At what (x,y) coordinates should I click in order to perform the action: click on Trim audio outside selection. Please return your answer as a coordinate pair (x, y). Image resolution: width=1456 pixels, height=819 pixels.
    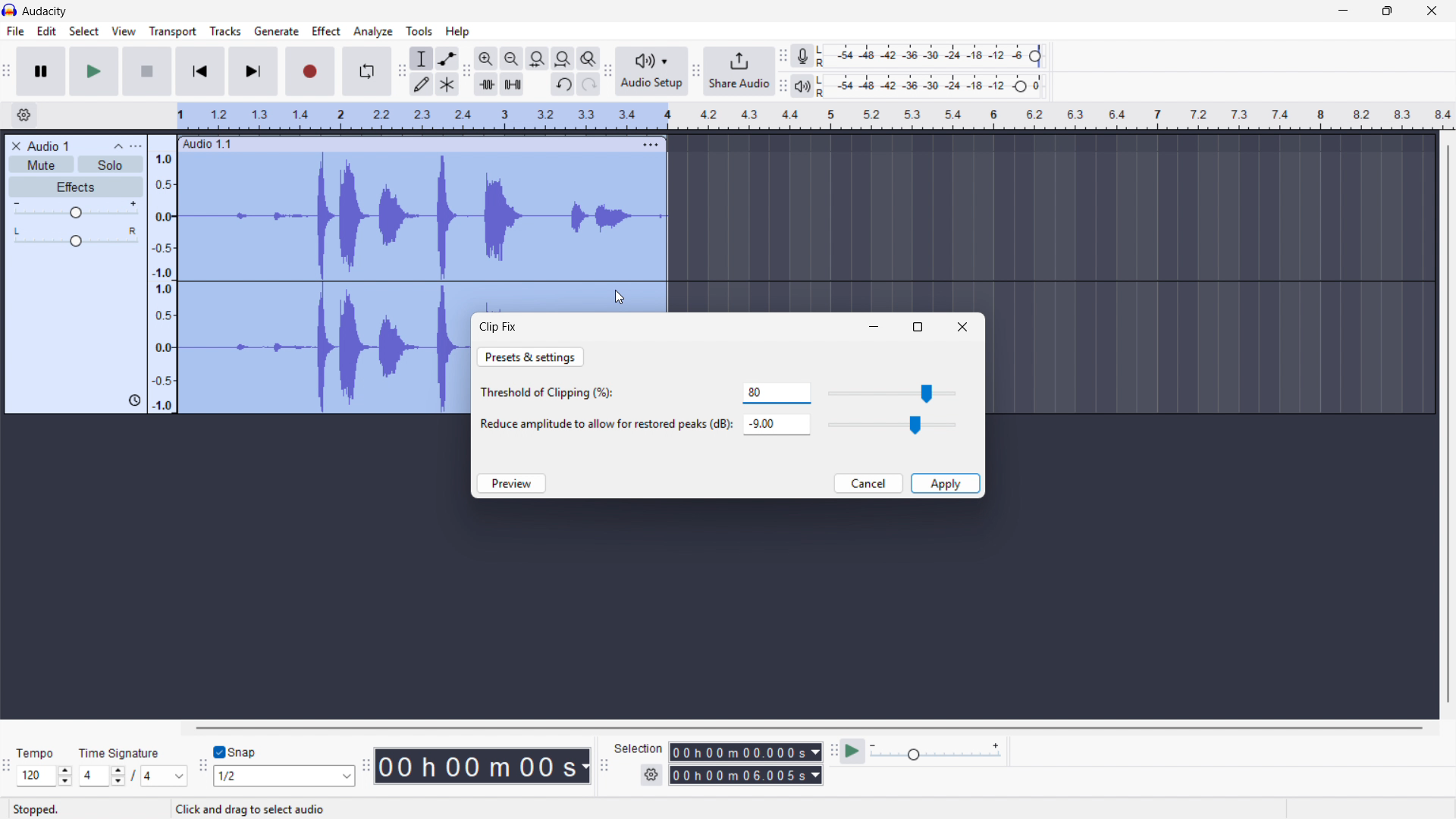
    Looking at the image, I should click on (486, 83).